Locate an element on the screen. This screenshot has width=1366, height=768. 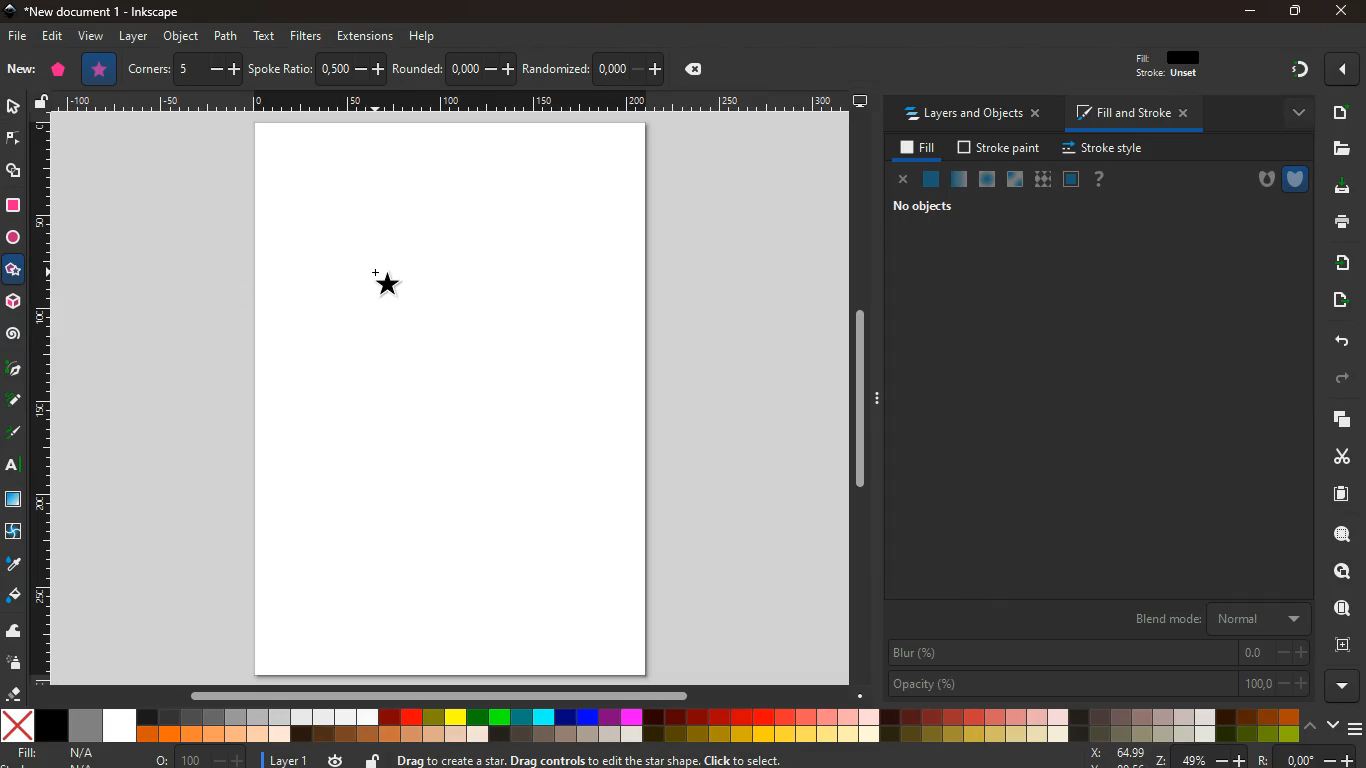
layers and objects is located at coordinates (972, 114).